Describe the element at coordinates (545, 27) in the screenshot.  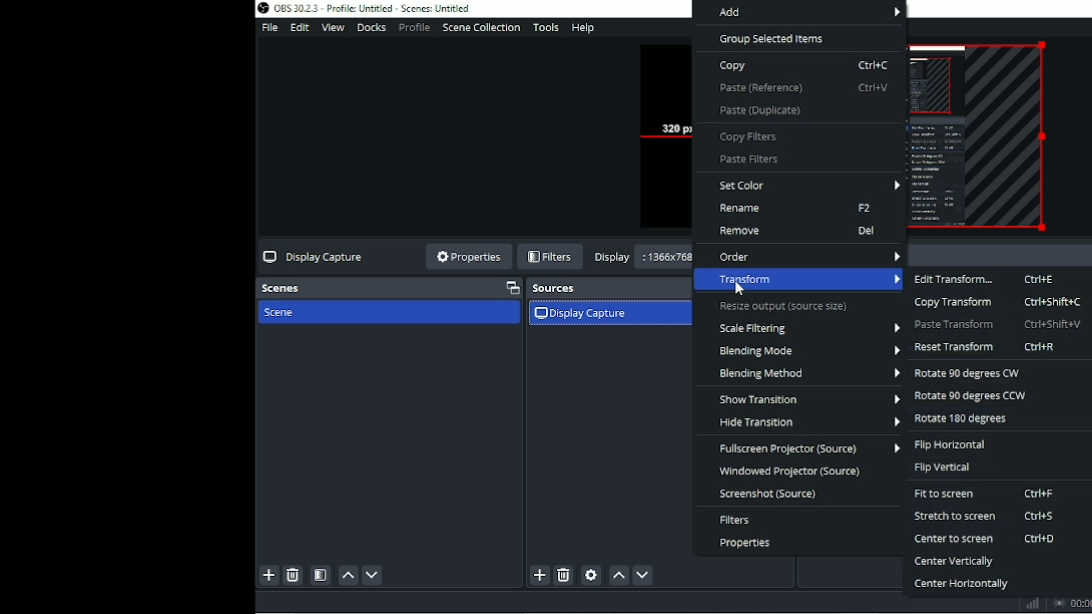
I see `Tools` at that location.